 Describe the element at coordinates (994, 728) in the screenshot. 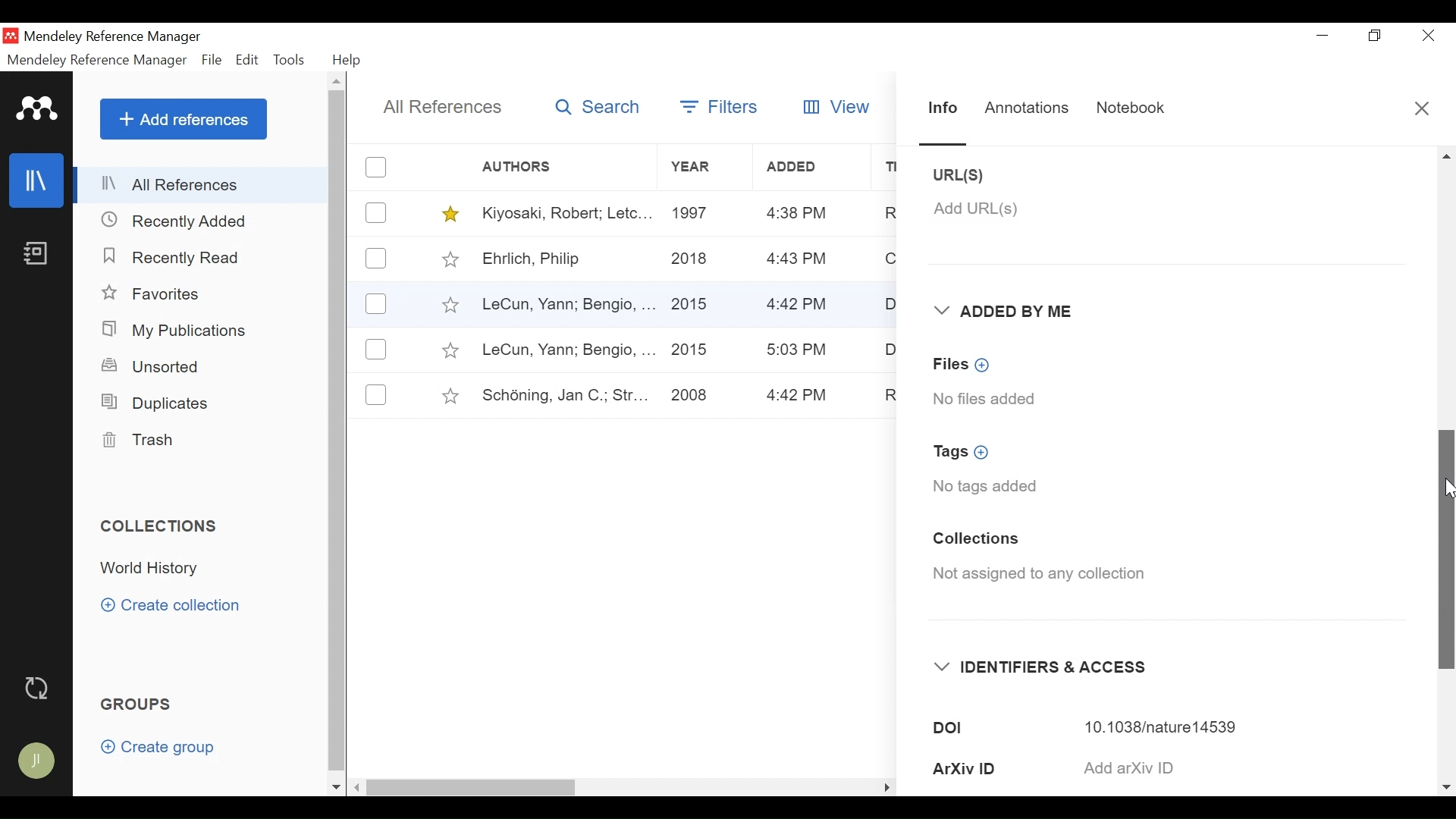

I see `DOI` at that location.